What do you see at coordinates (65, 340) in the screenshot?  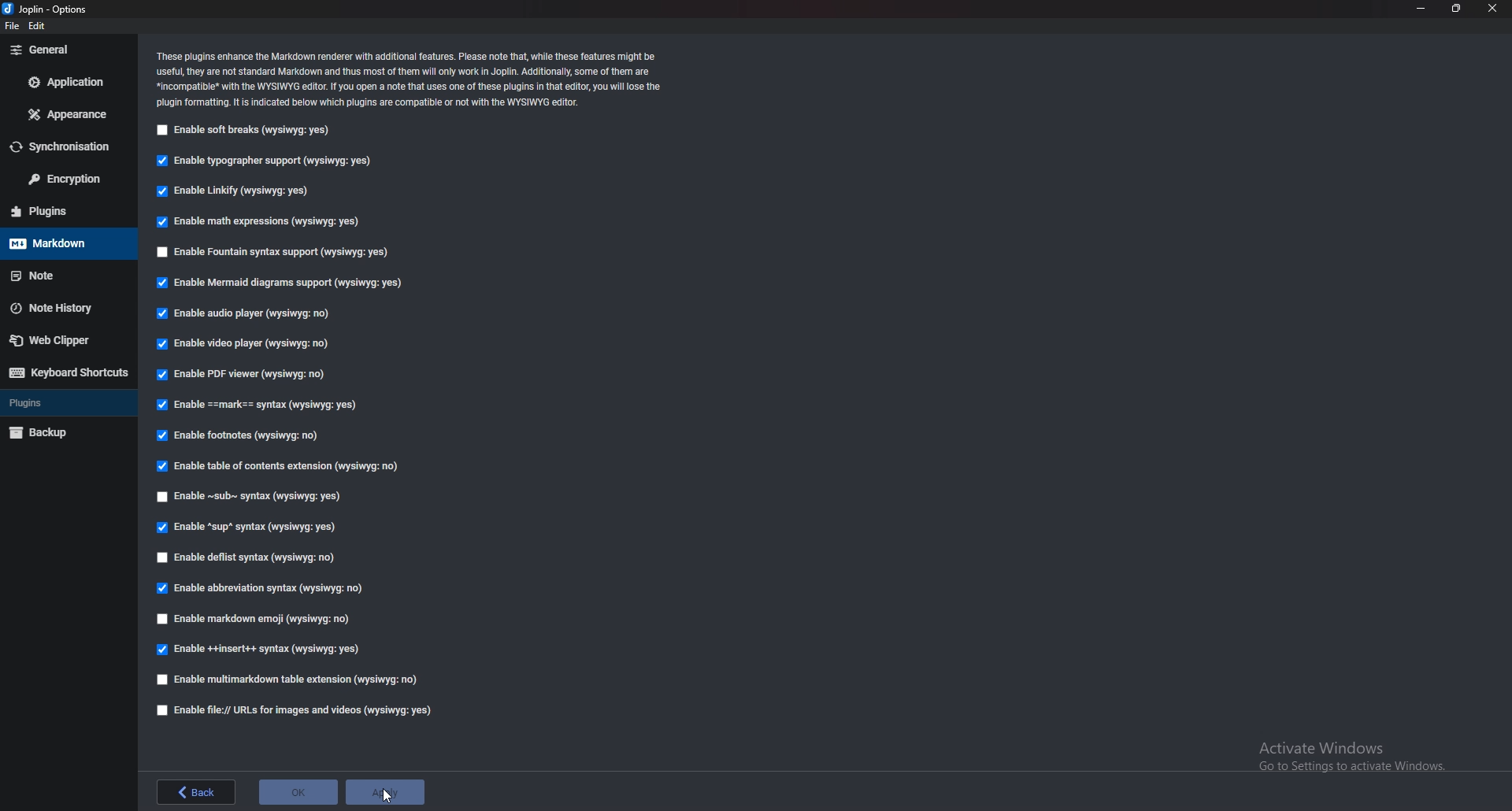 I see `web clipper` at bounding box center [65, 340].